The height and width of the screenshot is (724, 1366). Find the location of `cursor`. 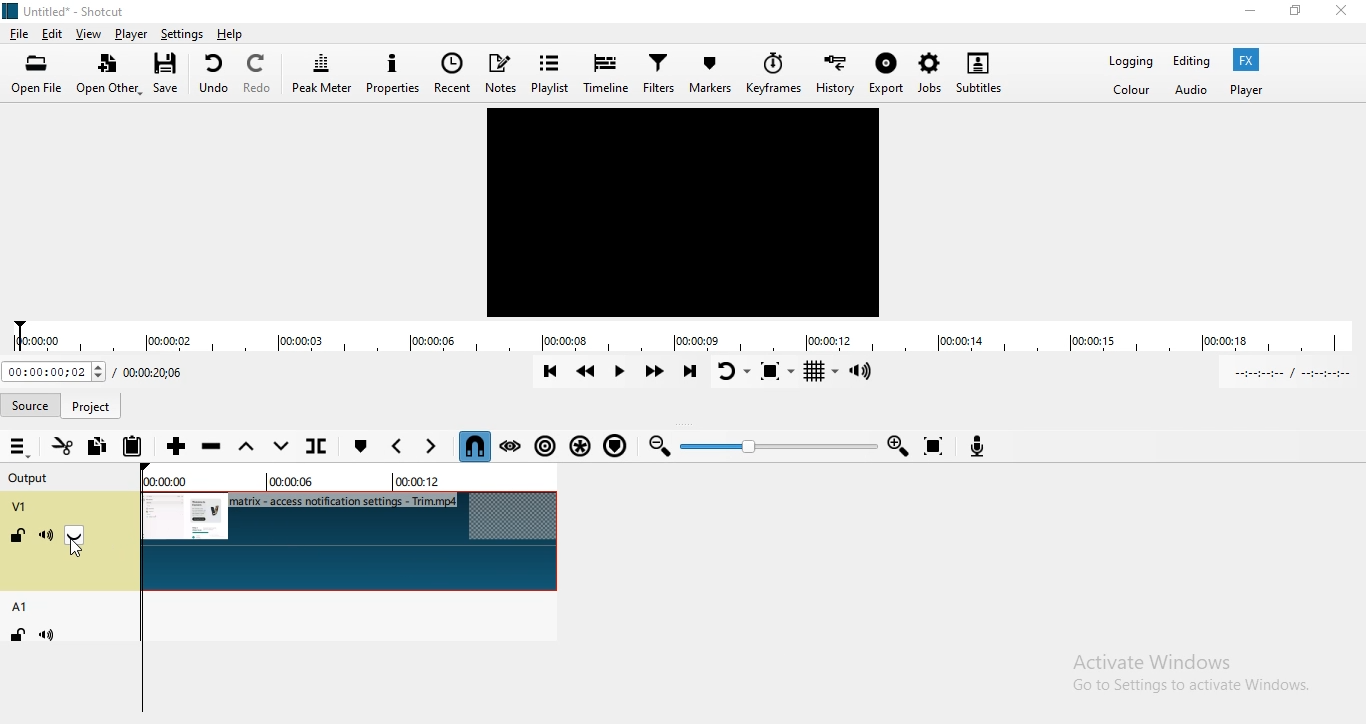

cursor is located at coordinates (75, 551).